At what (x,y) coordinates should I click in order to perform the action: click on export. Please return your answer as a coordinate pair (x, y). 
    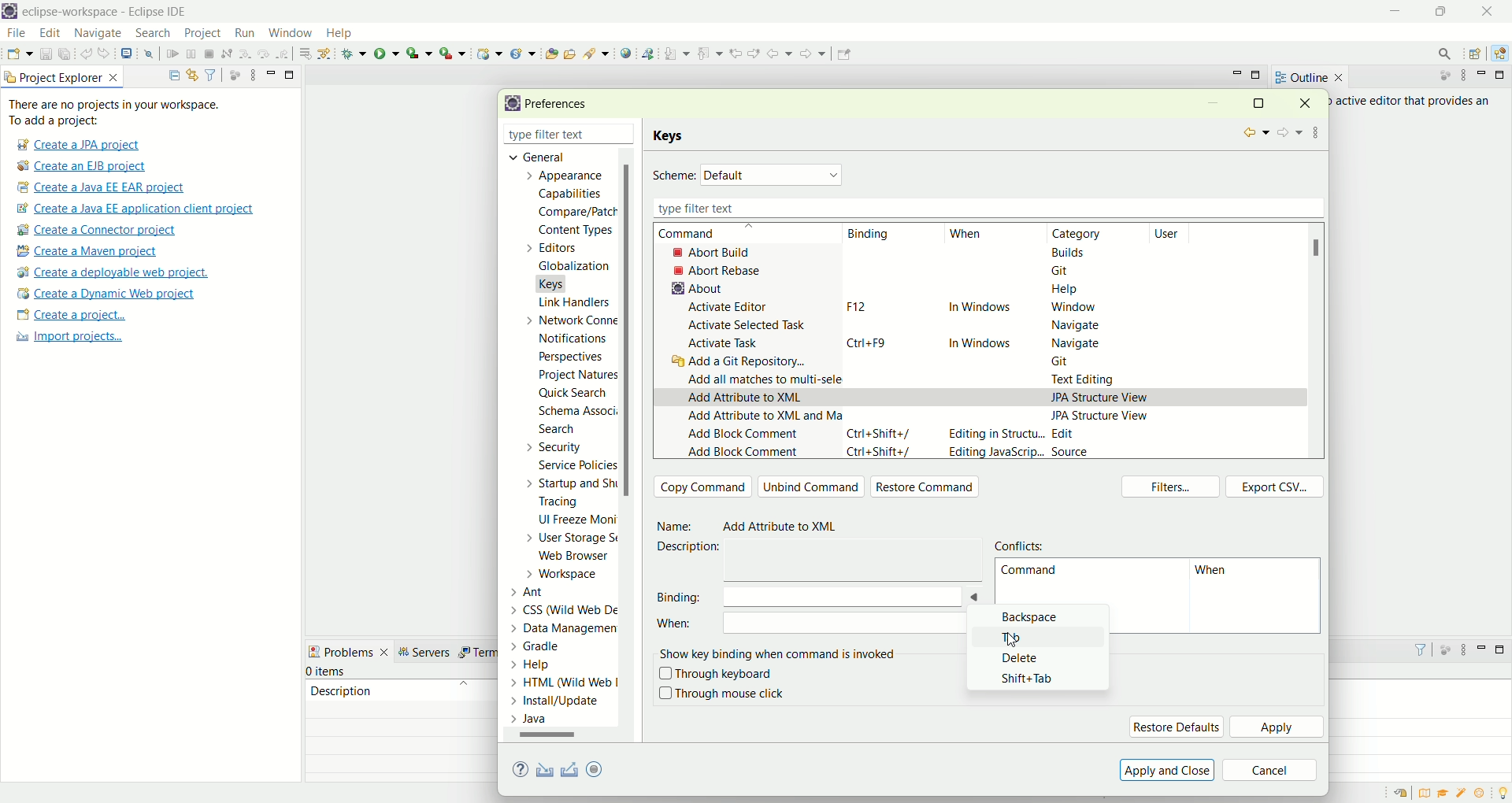
    Looking at the image, I should click on (606, 768).